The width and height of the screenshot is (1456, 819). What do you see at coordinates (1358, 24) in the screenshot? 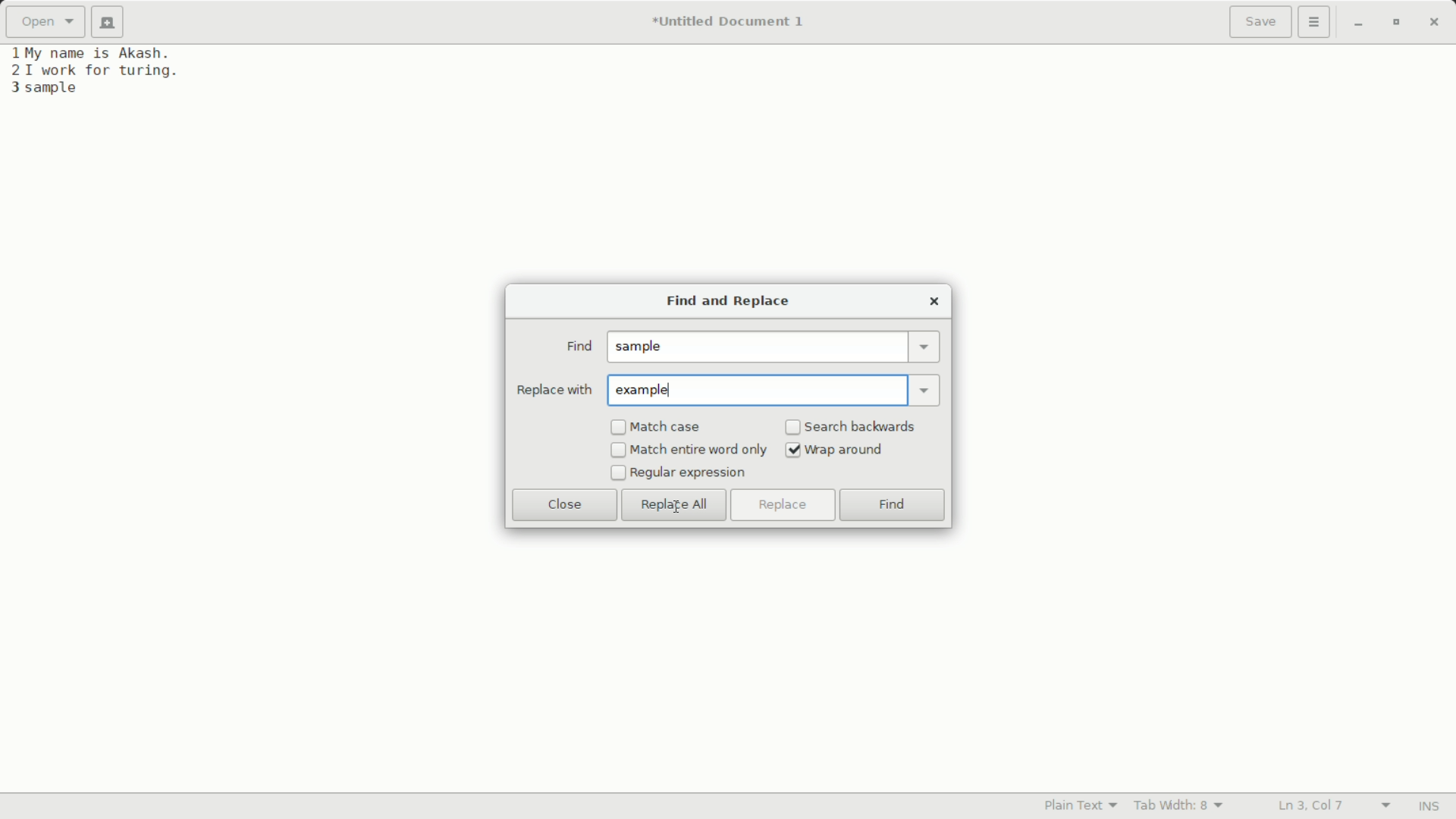
I see `minimize` at bounding box center [1358, 24].